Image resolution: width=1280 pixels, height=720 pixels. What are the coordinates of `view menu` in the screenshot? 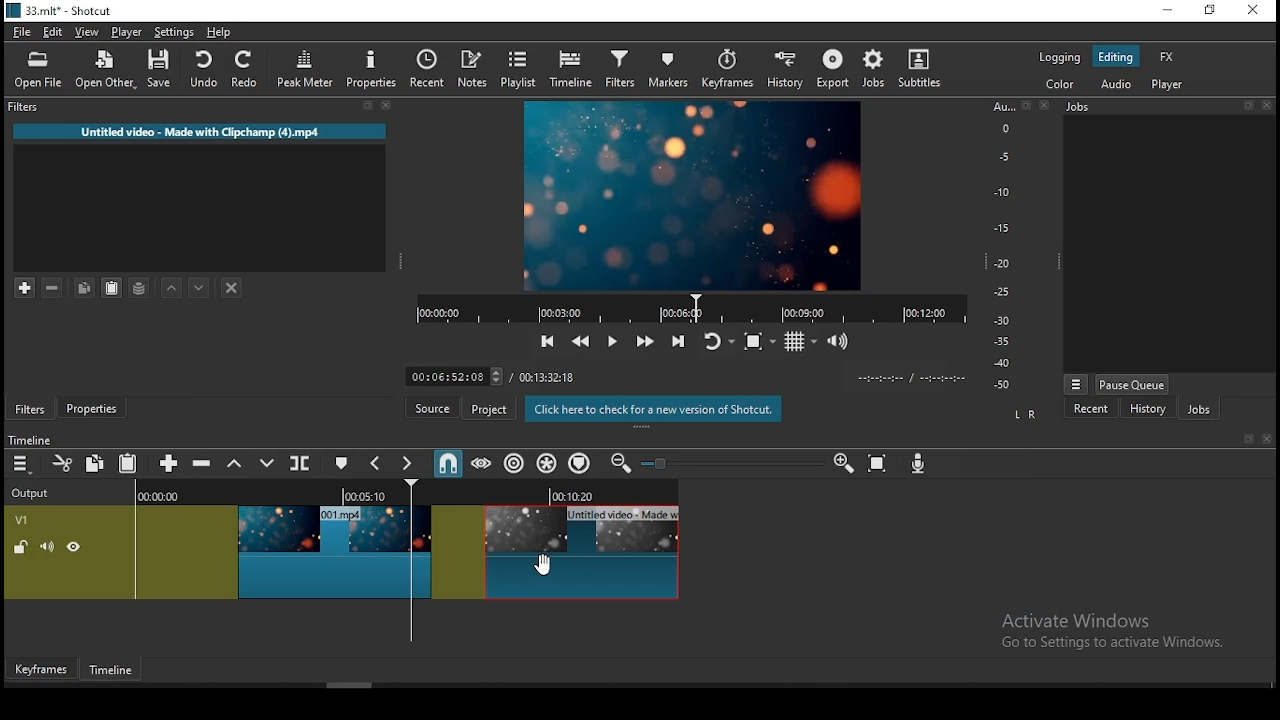 It's located at (1075, 383).